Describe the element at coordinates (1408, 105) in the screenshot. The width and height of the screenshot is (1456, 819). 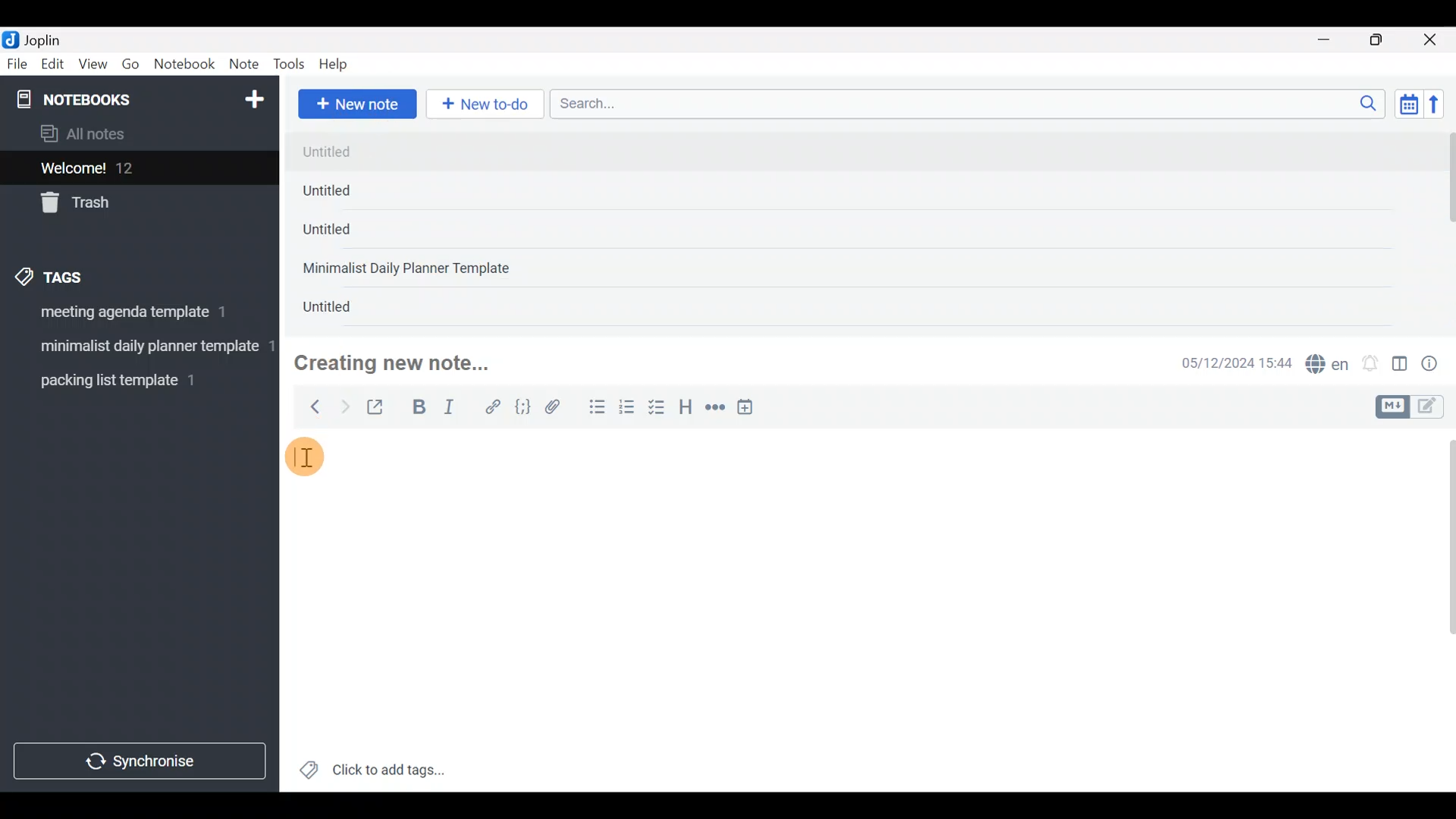
I see `Toggle sort order` at that location.